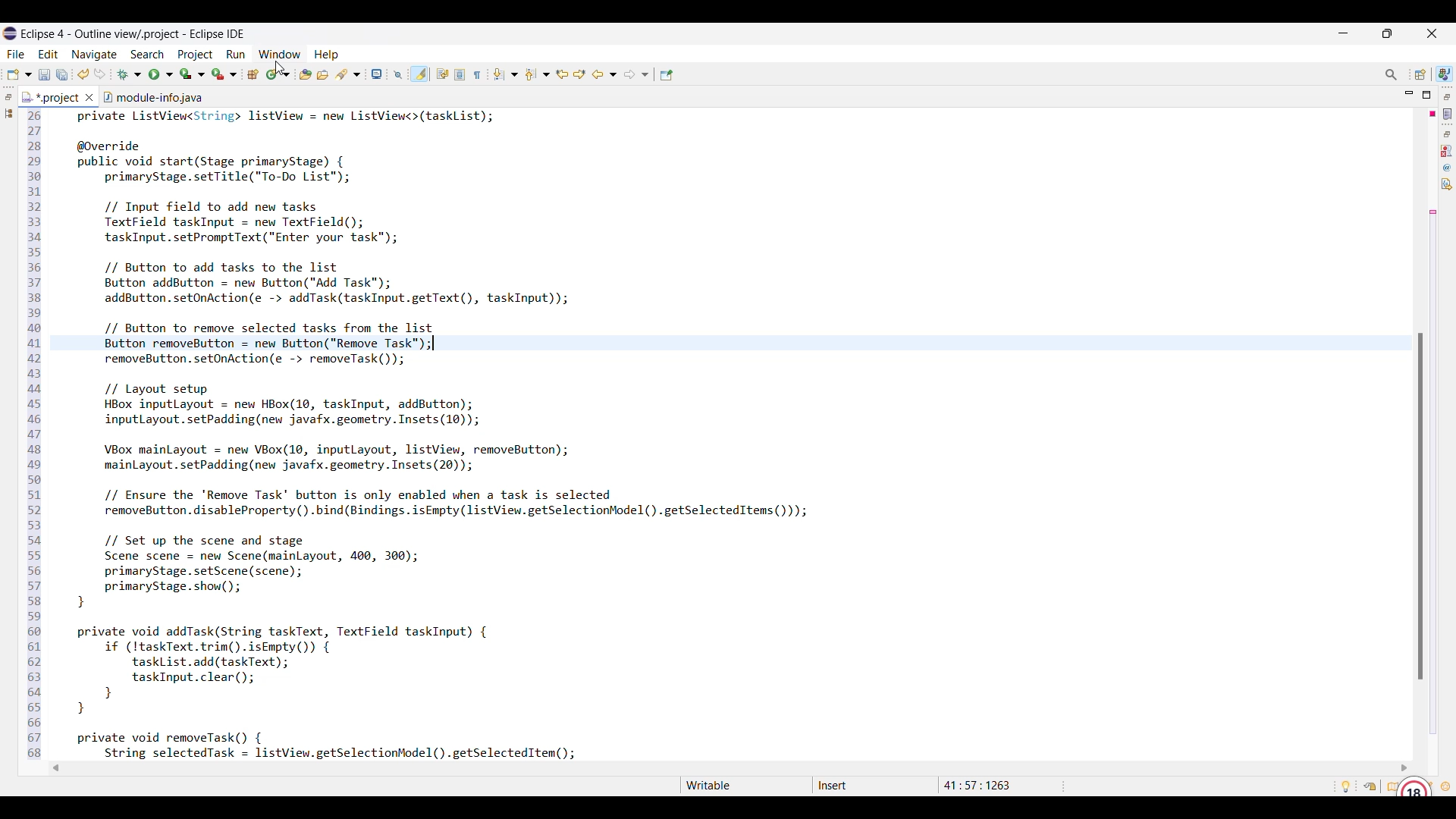 The image size is (1456, 819). I want to click on Show whitespace characters, so click(477, 75).